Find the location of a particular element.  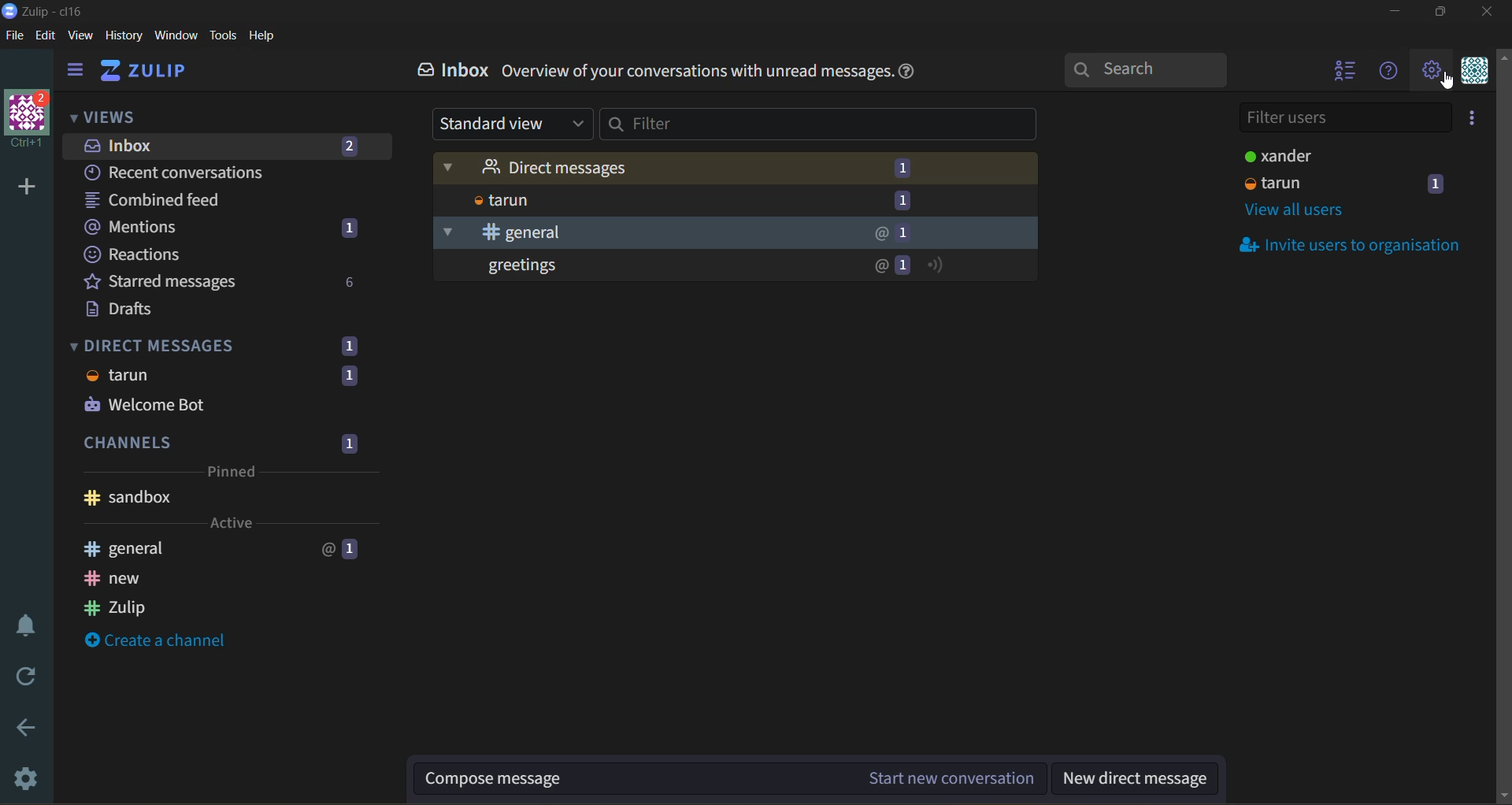

help menu is located at coordinates (1383, 71).